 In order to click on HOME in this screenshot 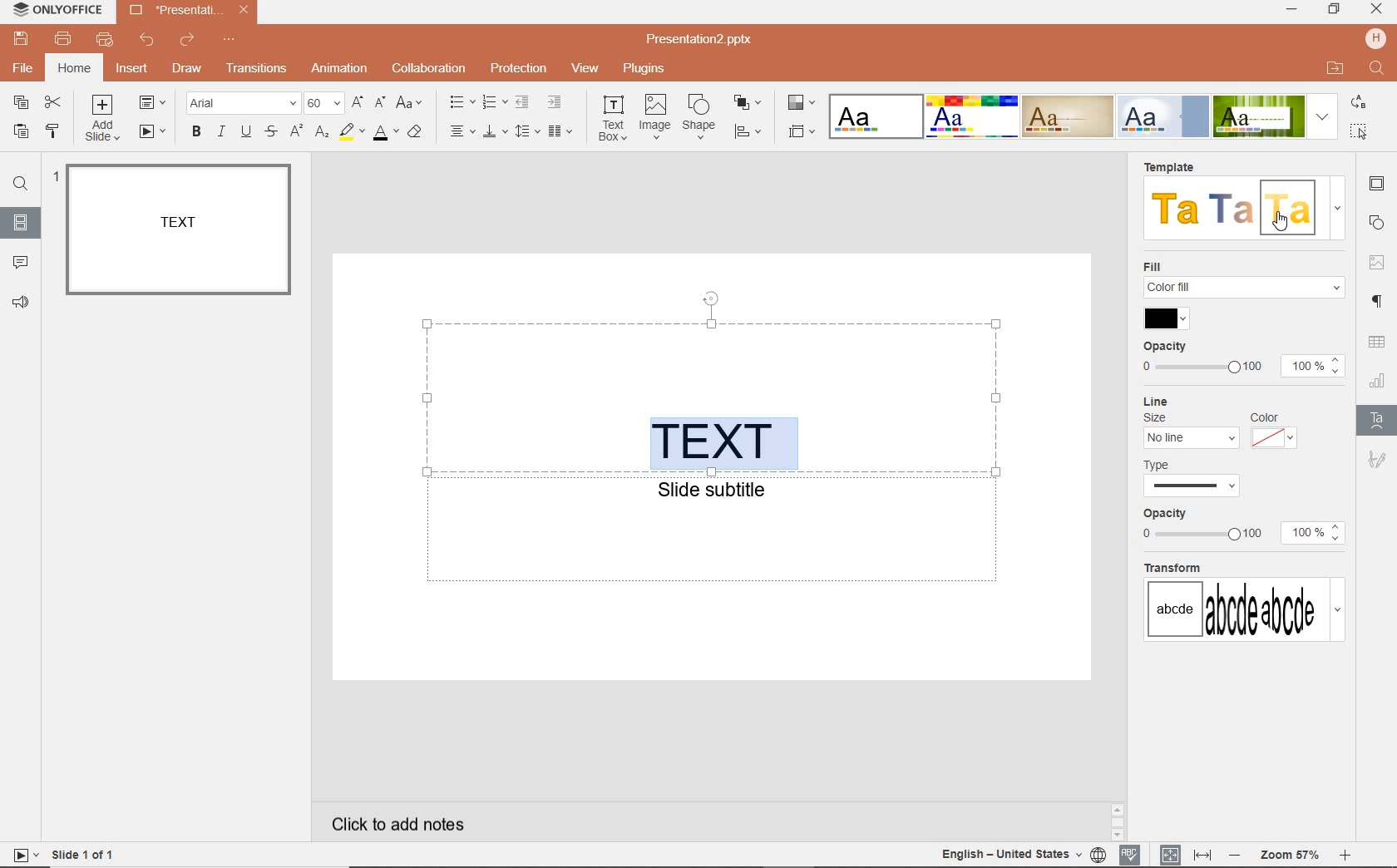, I will do `click(73, 70)`.